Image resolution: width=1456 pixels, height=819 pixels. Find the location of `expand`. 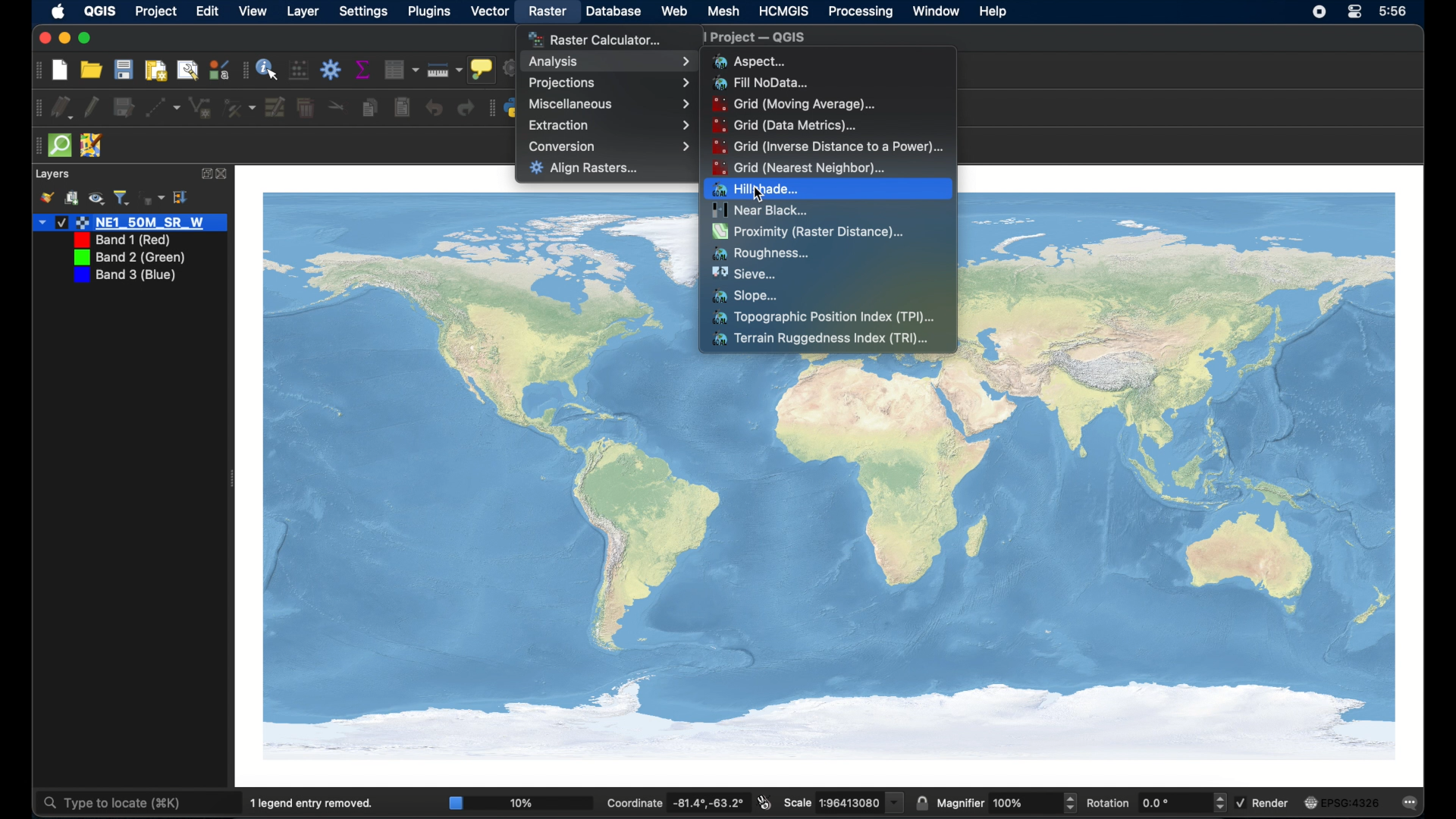

expand is located at coordinates (184, 198).